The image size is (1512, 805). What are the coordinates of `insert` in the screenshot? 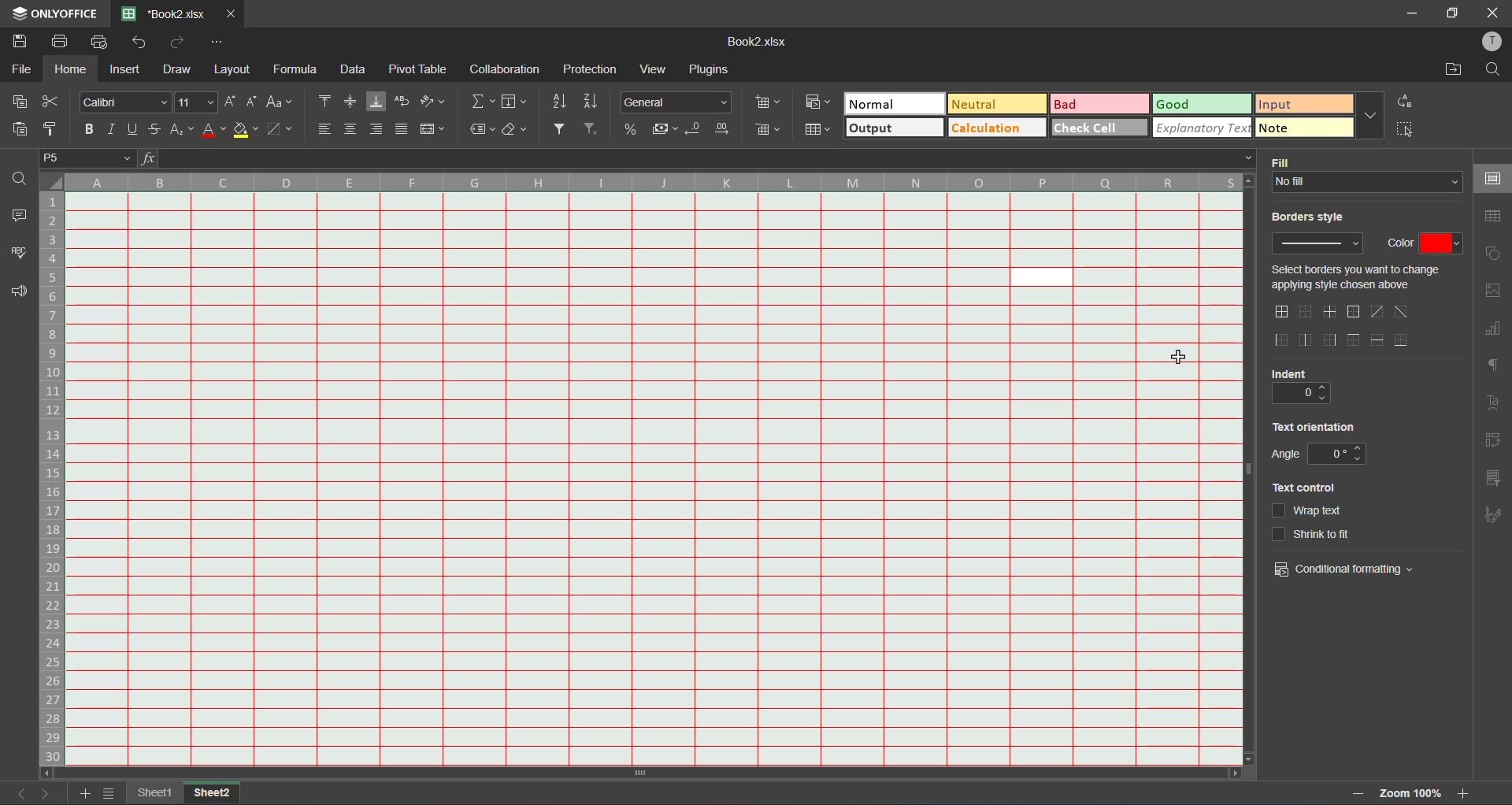 It's located at (128, 69).